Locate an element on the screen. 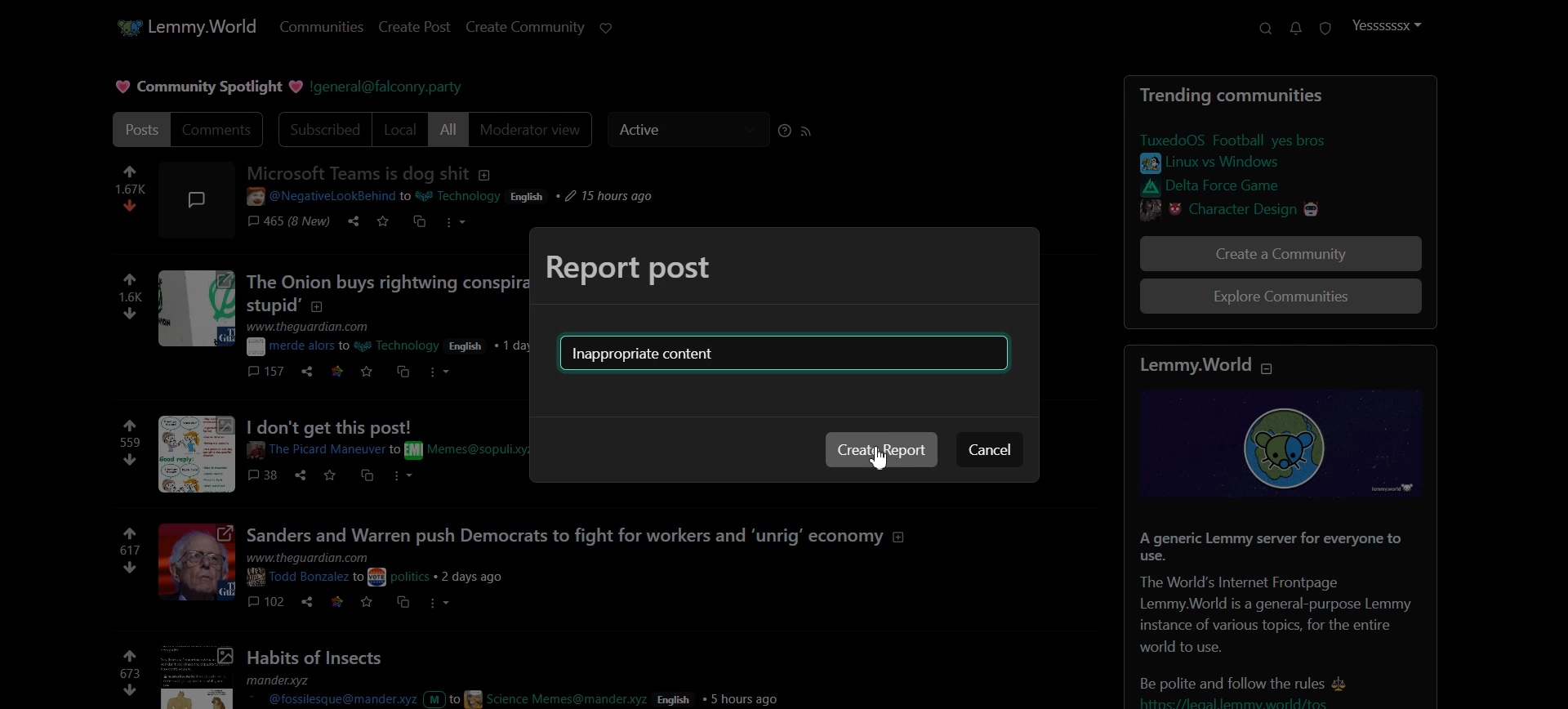 This screenshot has height=709, width=1568. numbers is located at coordinates (131, 297).